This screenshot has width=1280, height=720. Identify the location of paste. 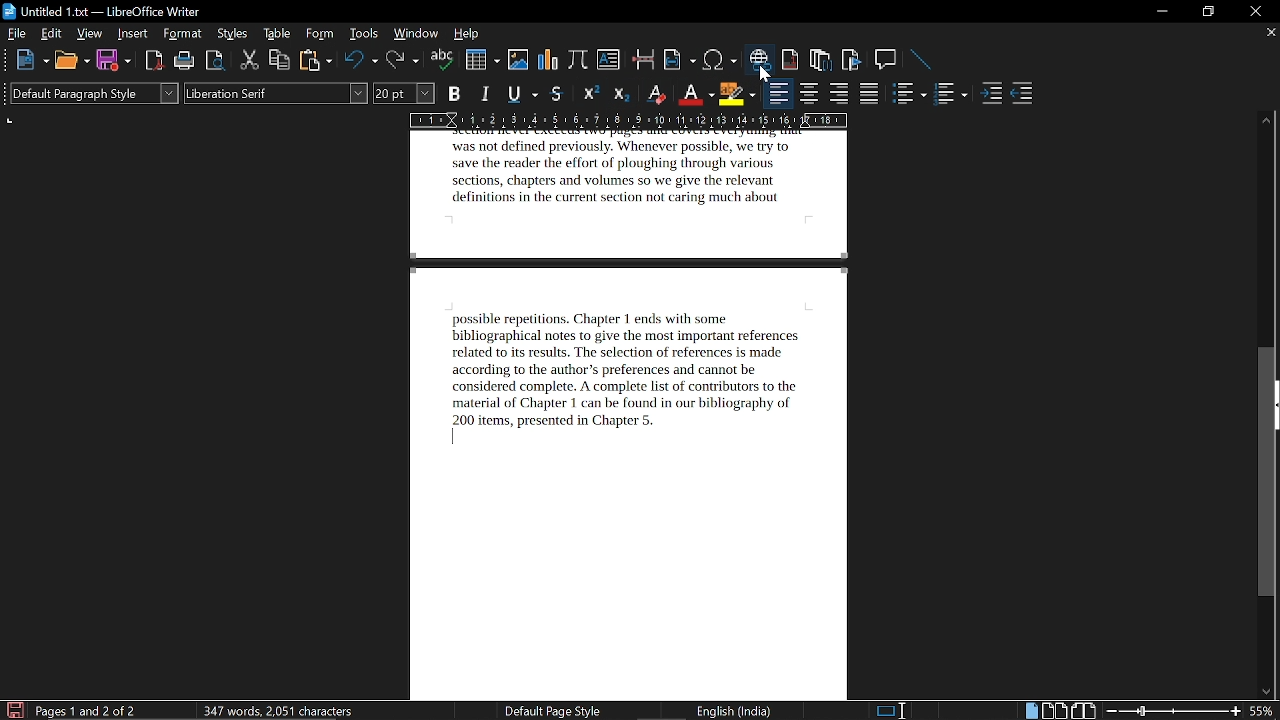
(315, 61).